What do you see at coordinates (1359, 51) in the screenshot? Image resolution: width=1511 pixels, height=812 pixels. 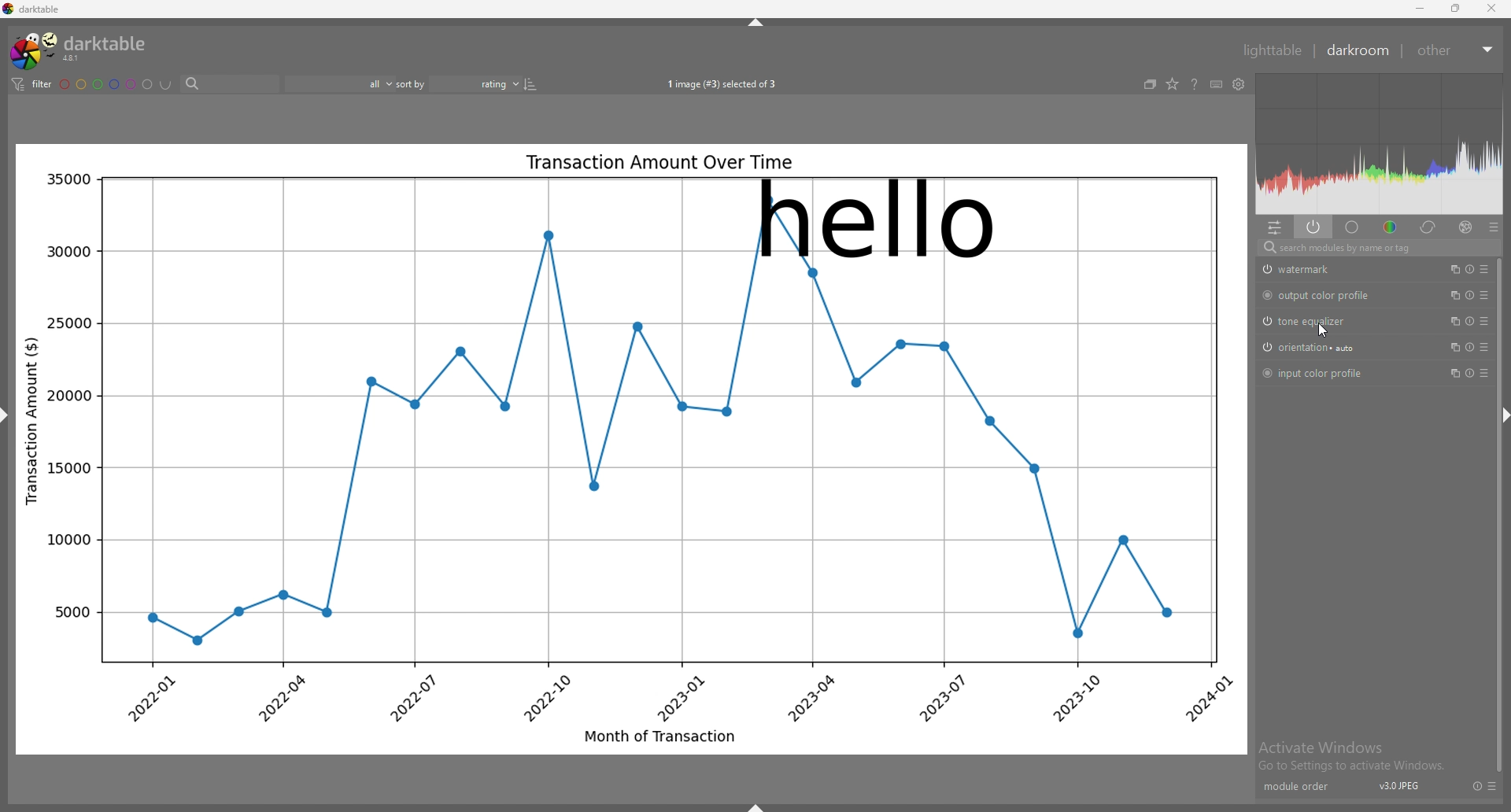 I see `darkroom` at bounding box center [1359, 51].